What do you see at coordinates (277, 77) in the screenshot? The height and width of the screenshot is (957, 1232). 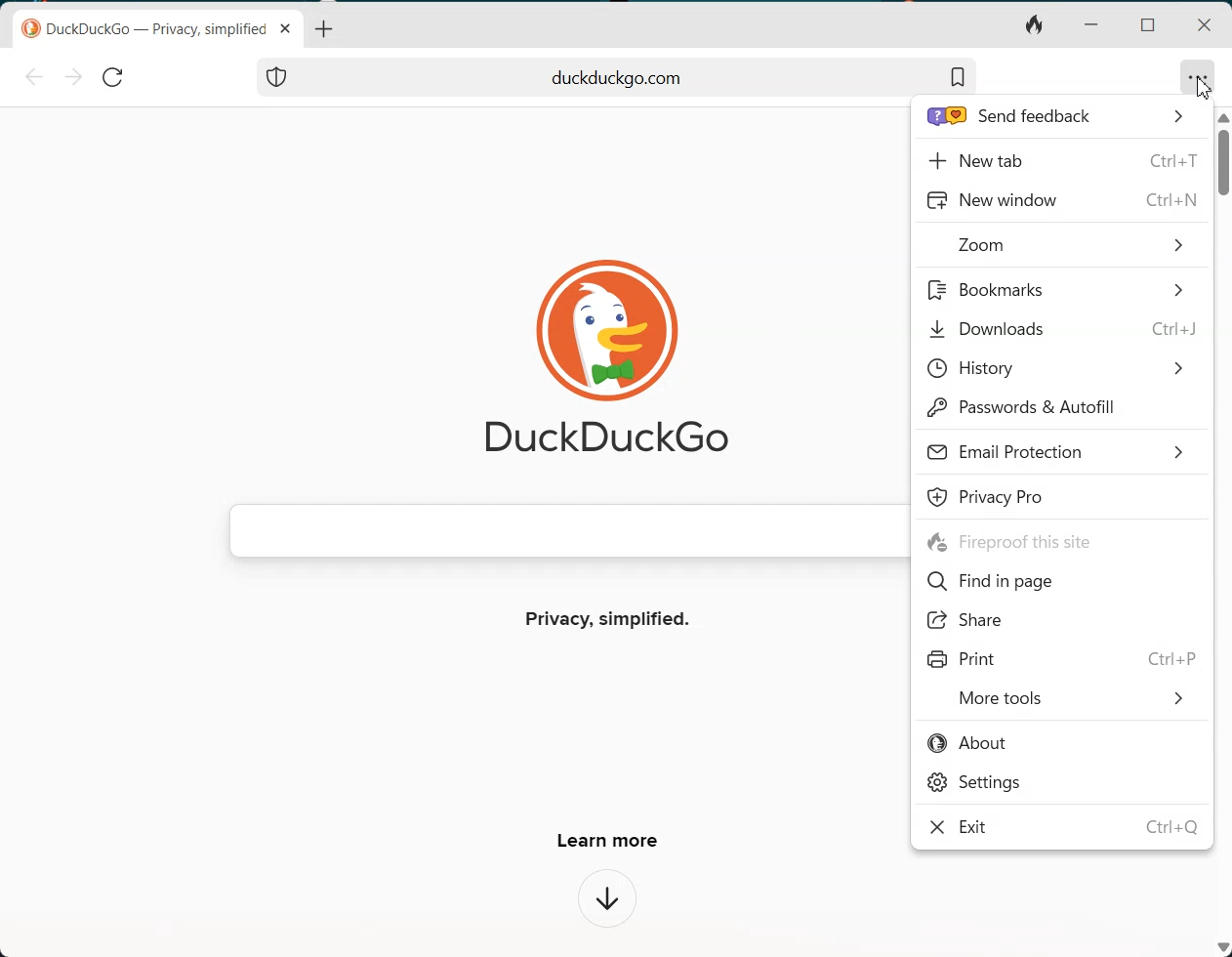 I see `Protection Shield ` at bounding box center [277, 77].